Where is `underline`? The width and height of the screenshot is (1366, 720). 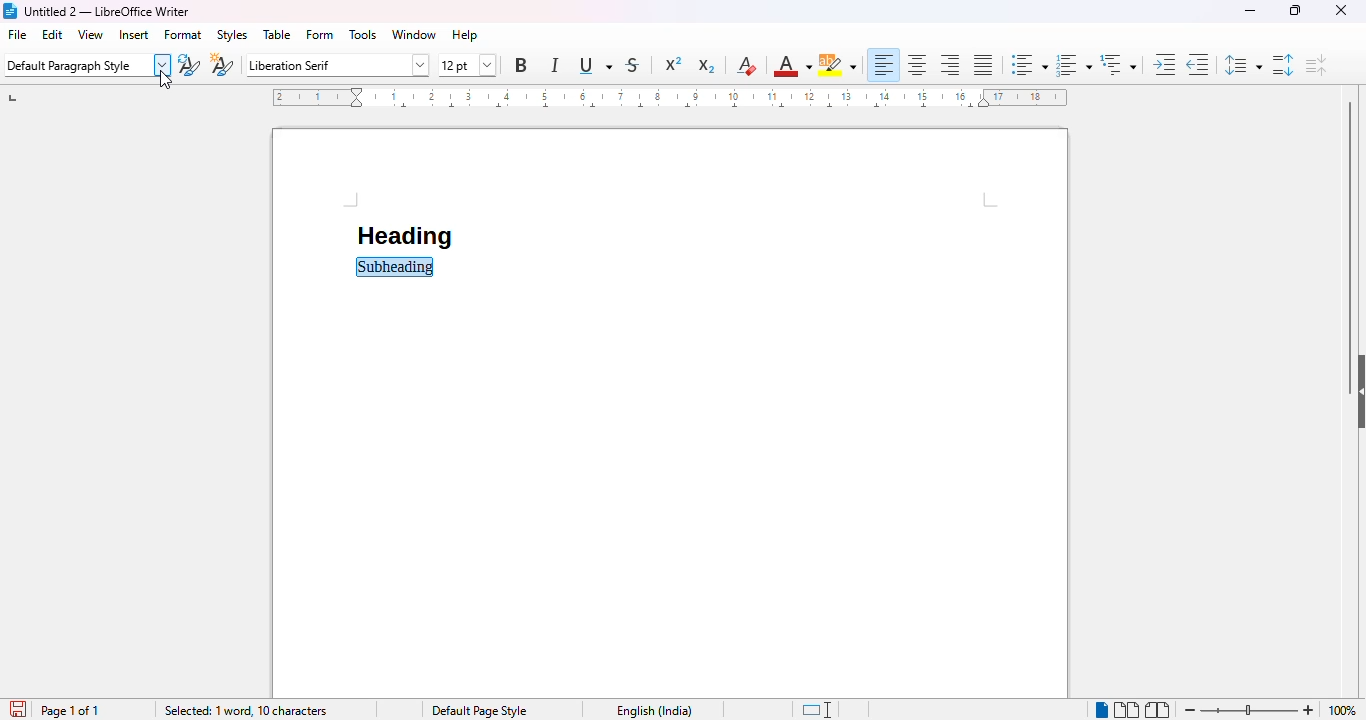
underline is located at coordinates (593, 66).